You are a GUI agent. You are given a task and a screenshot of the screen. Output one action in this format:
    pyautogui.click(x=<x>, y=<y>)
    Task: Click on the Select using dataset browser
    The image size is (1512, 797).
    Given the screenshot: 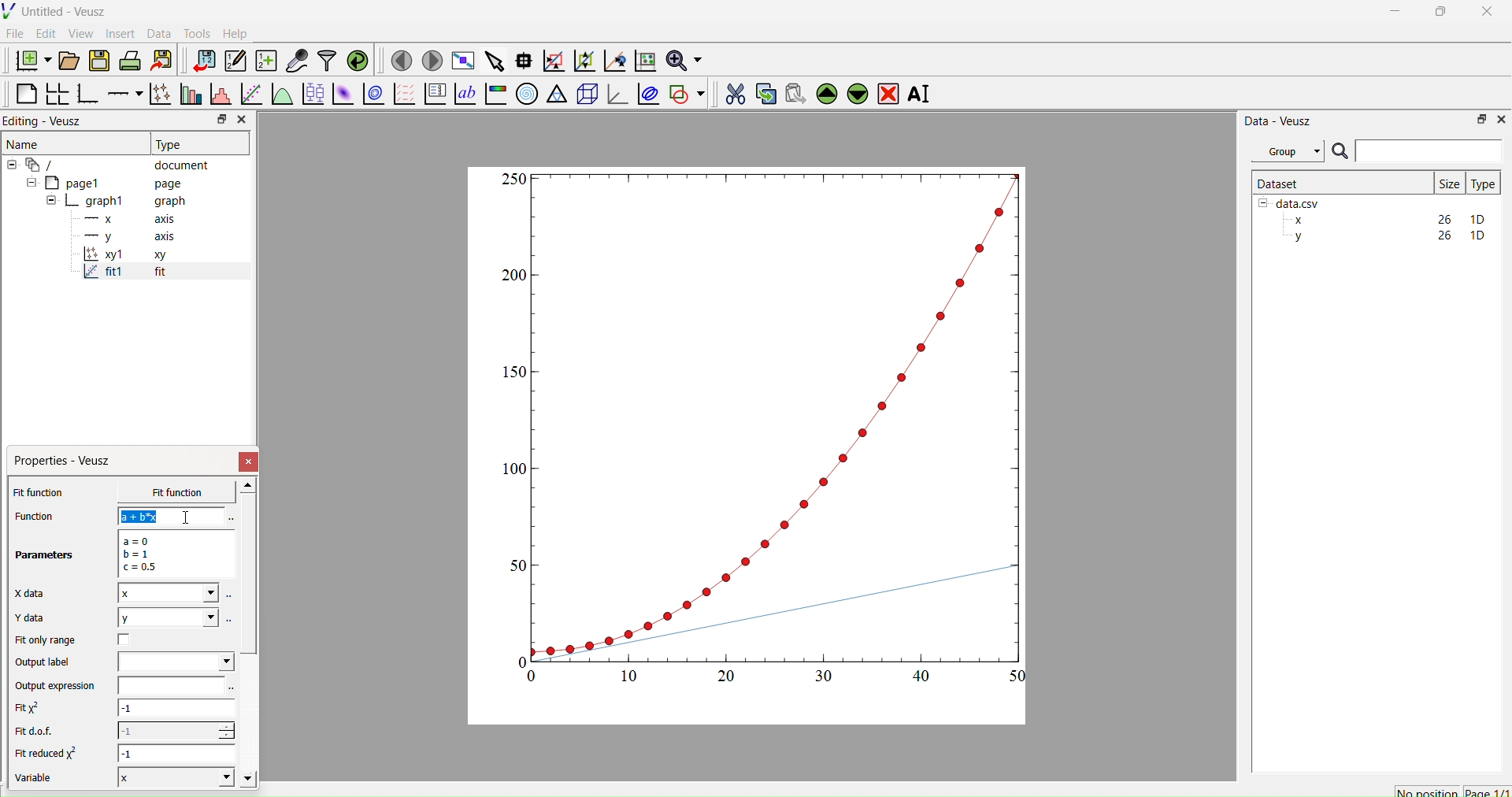 What is the action you would take?
    pyautogui.click(x=232, y=689)
    